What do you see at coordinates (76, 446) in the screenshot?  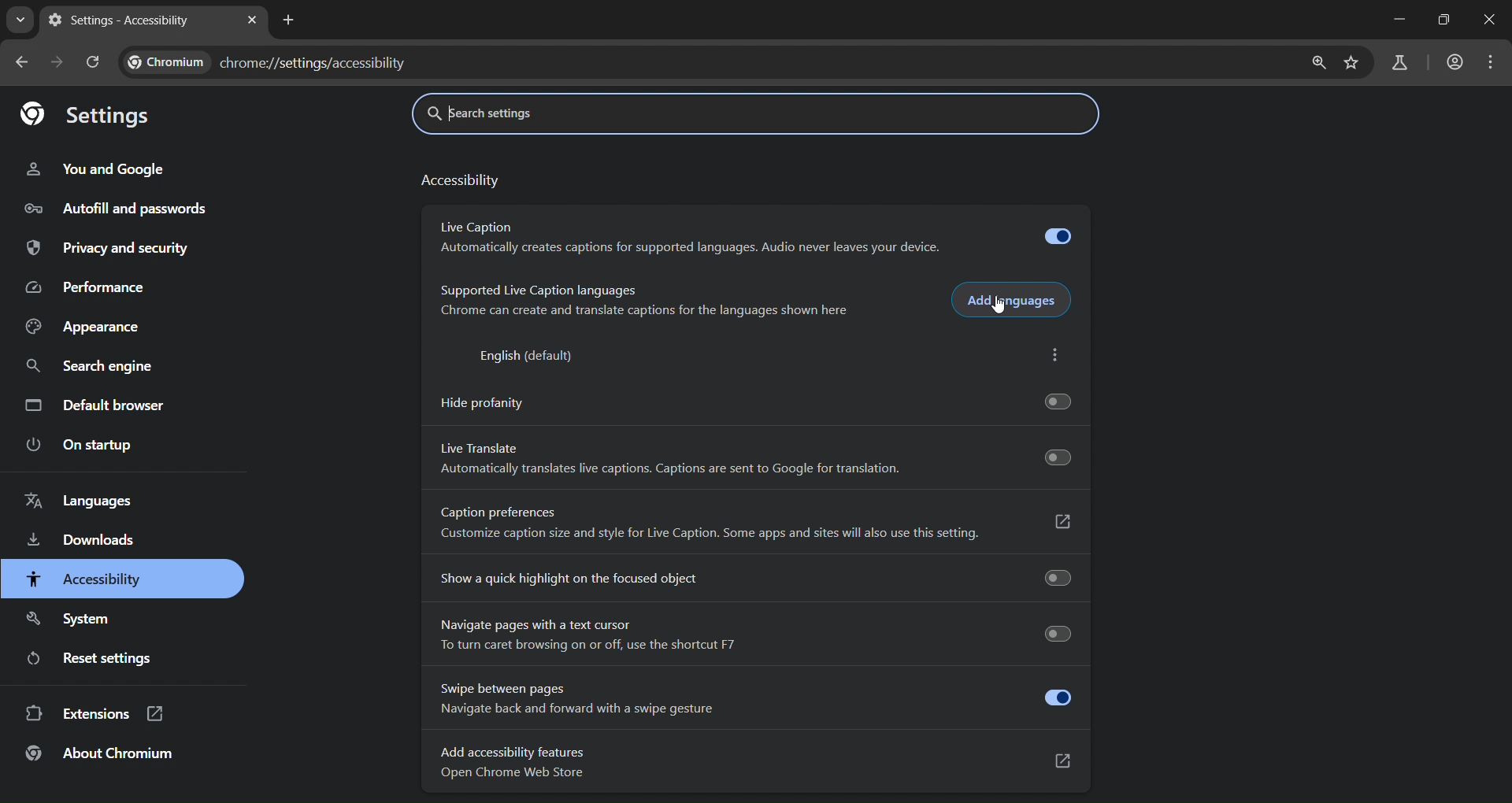 I see `on startup` at bounding box center [76, 446].